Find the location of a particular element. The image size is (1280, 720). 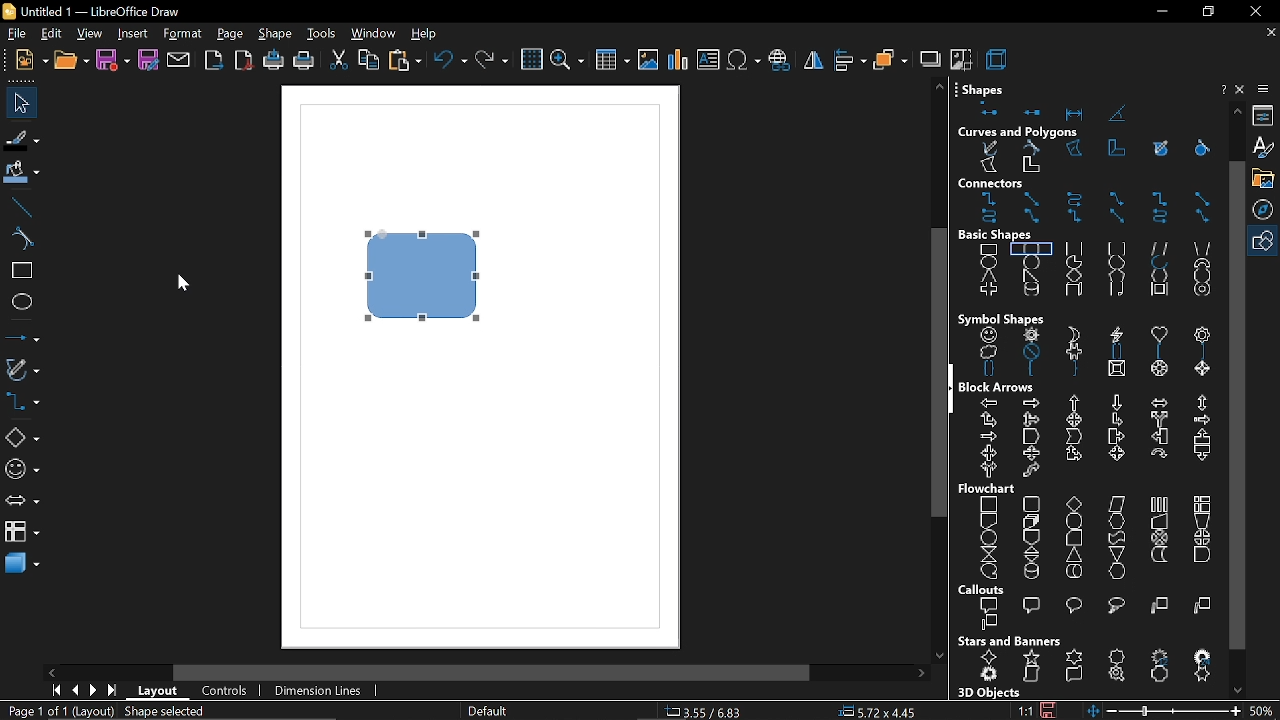

open is located at coordinates (70, 61).